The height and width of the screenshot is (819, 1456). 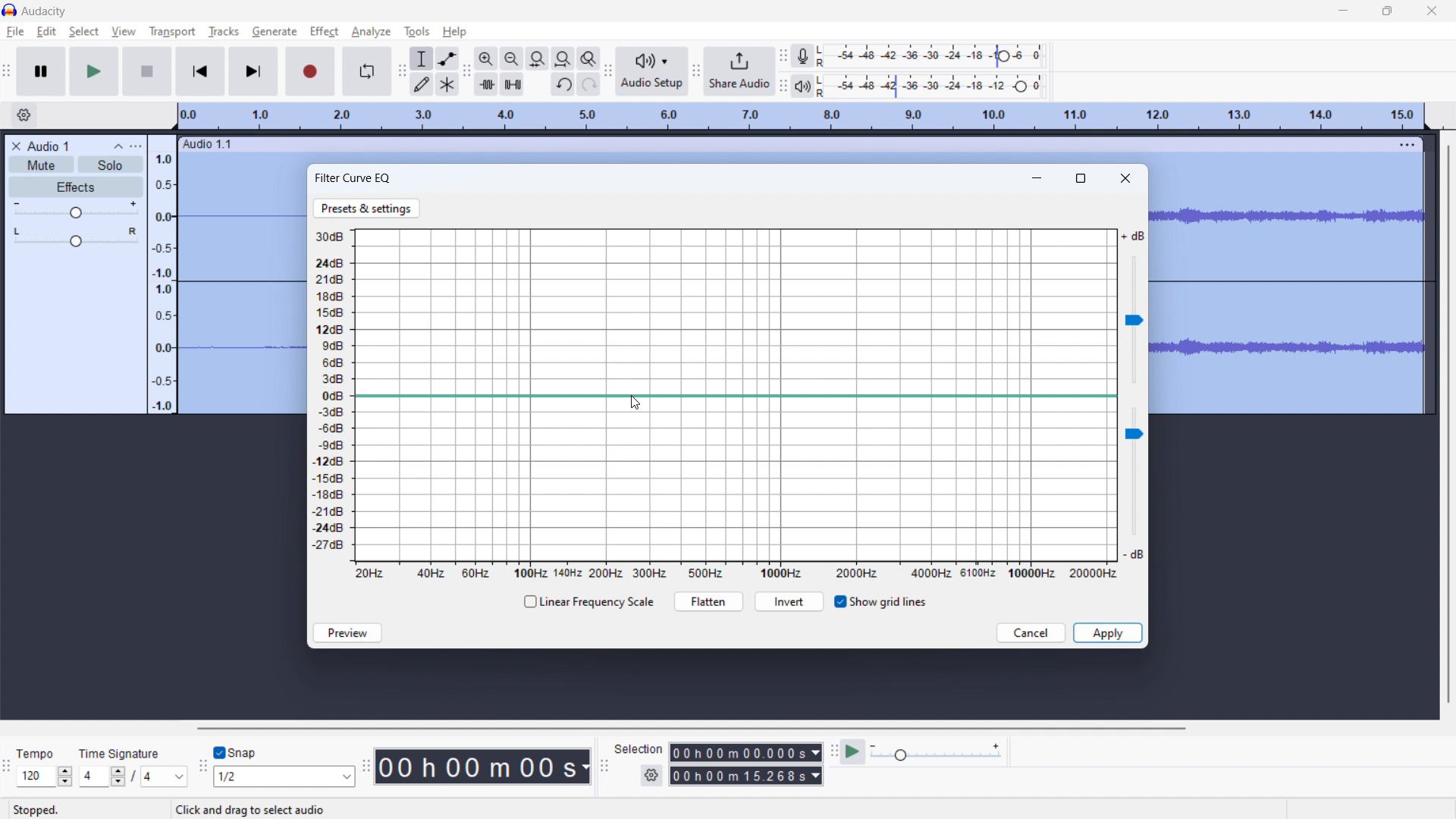 I want to click on record, so click(x=311, y=71).